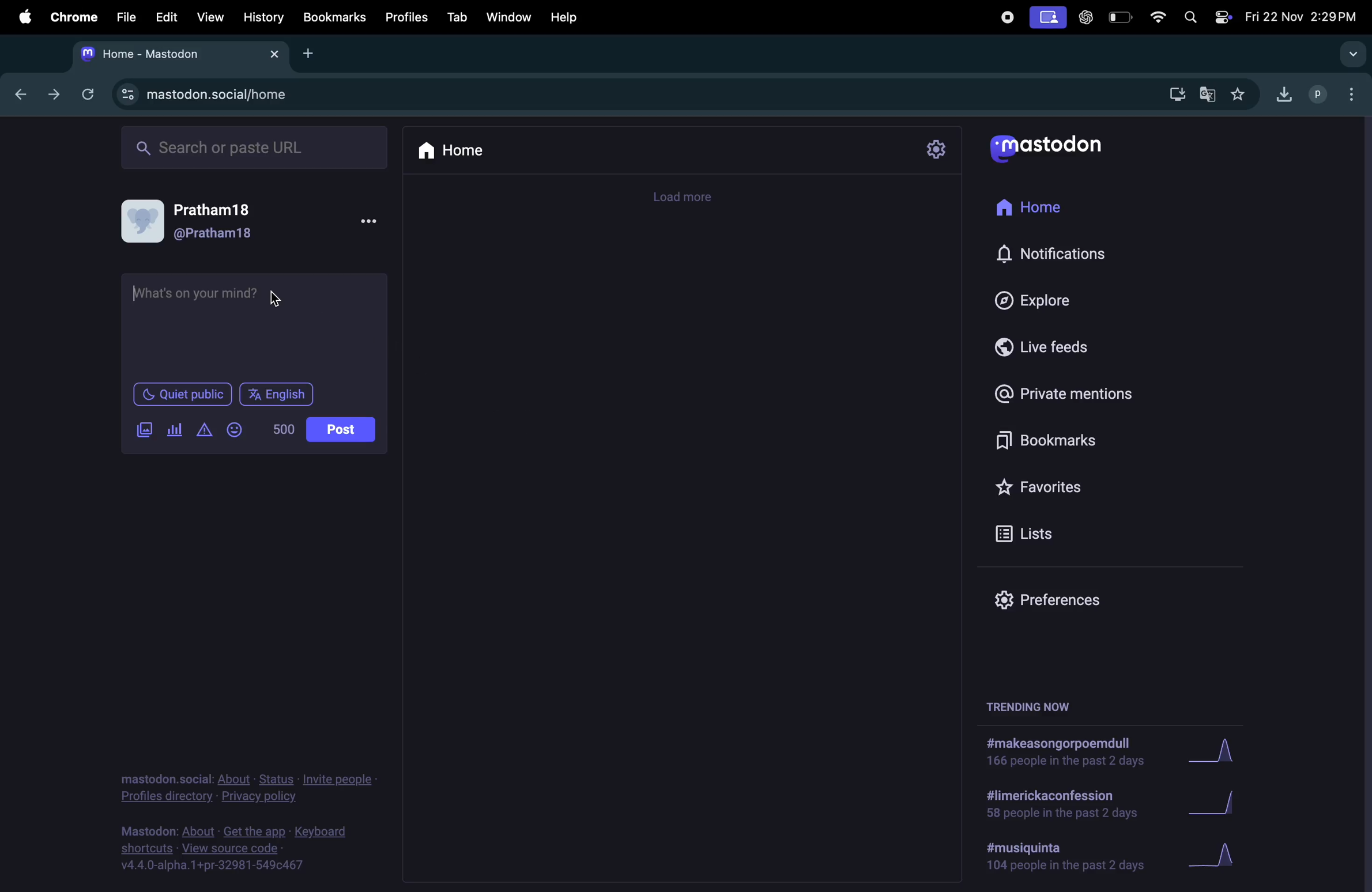 The width and height of the screenshot is (1372, 892). Describe the element at coordinates (1055, 600) in the screenshot. I see `prefrences` at that location.